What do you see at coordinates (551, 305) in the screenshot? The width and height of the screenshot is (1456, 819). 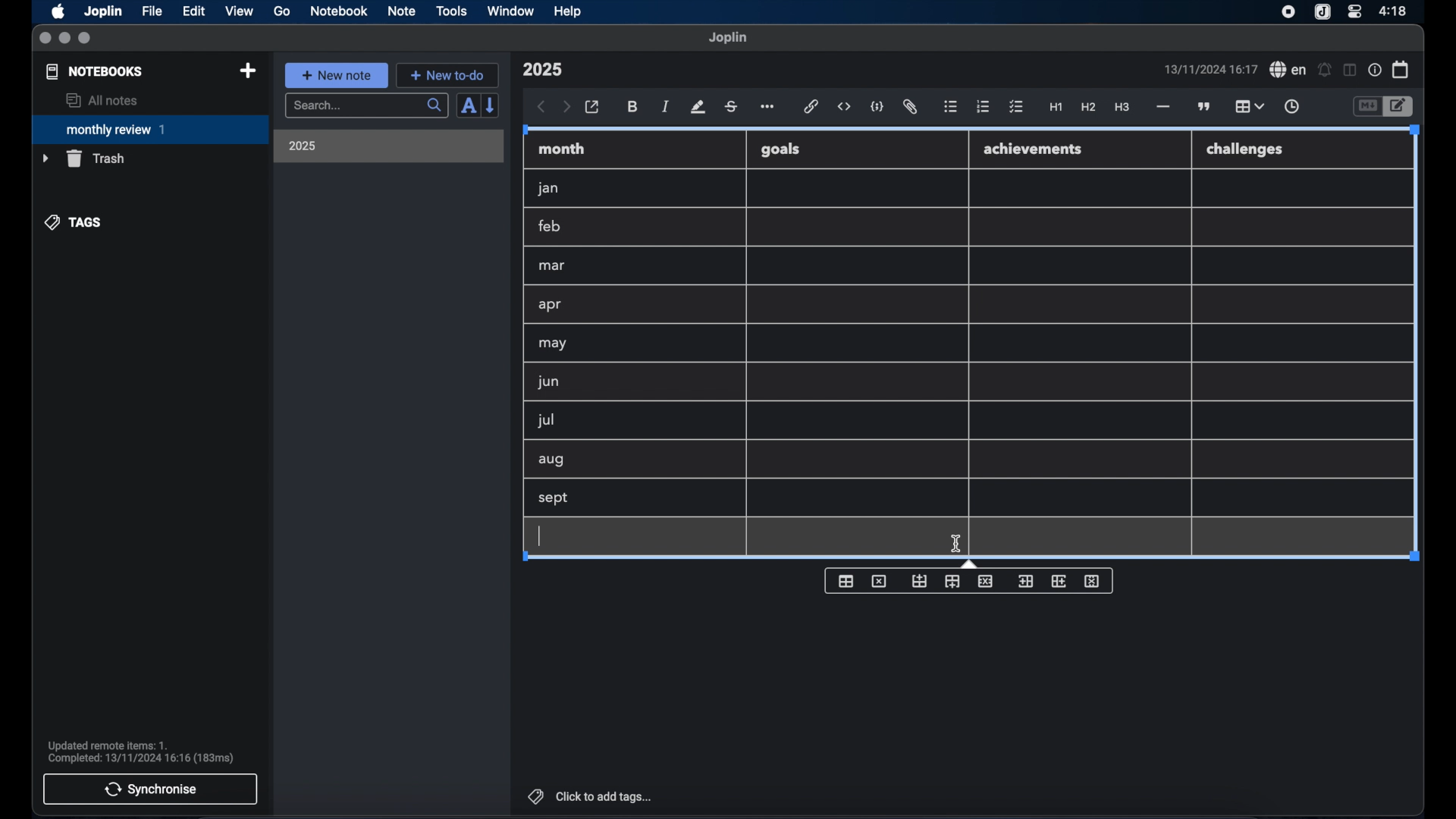 I see `apr` at bounding box center [551, 305].